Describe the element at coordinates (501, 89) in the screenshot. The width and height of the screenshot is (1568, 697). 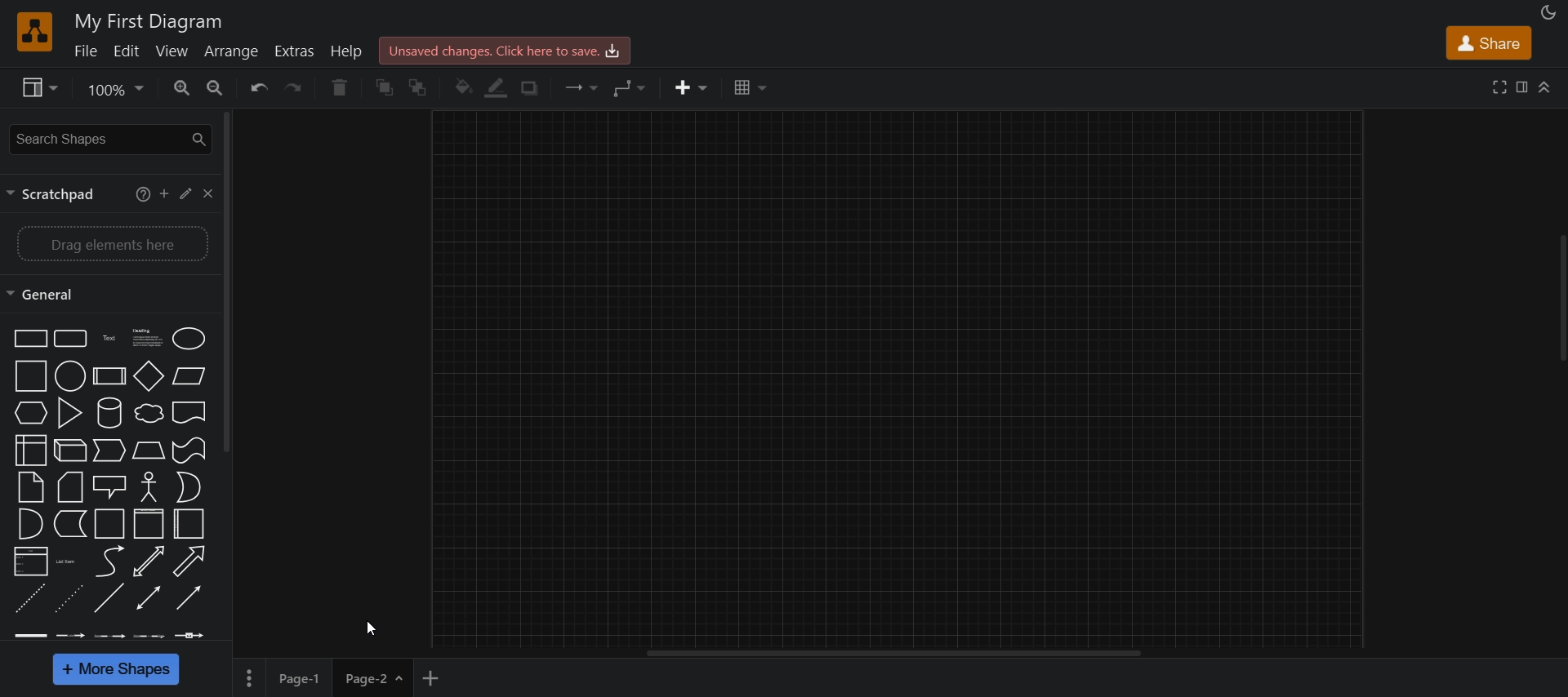
I see `fill color` at that location.